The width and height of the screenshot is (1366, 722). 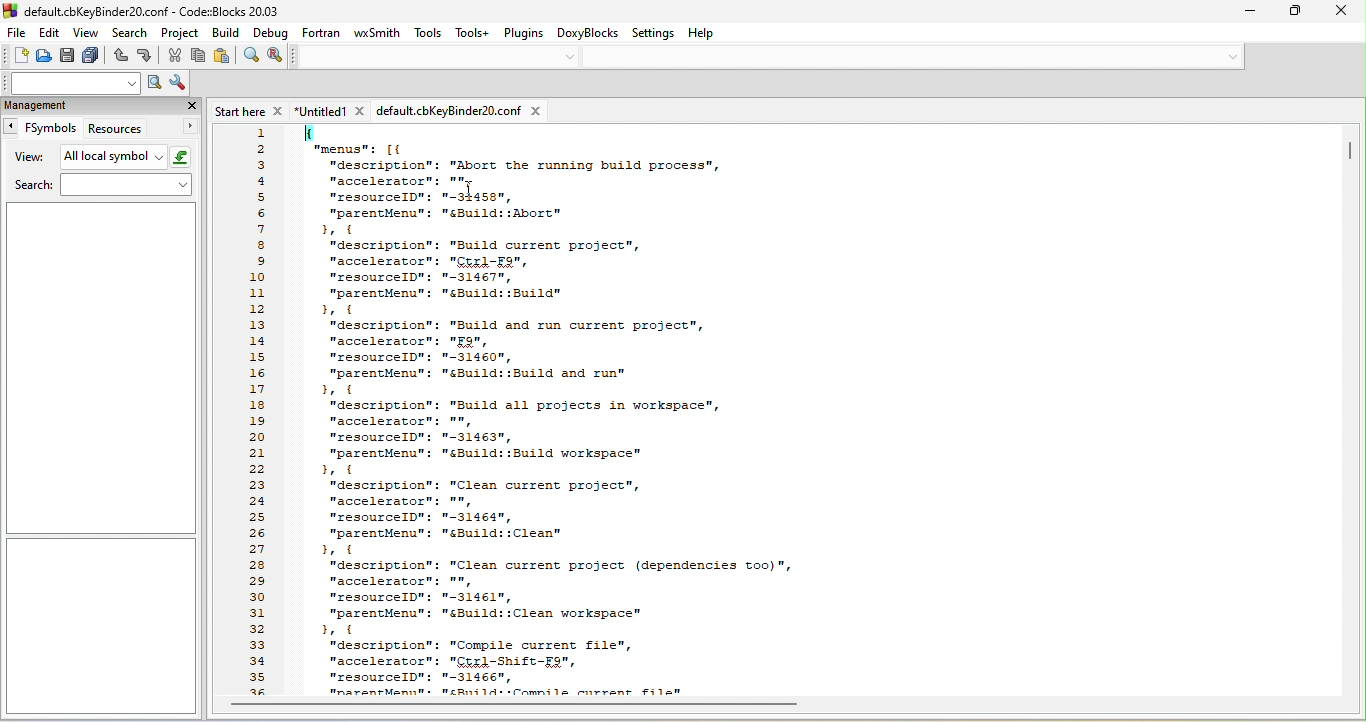 I want to click on fortran, so click(x=324, y=35).